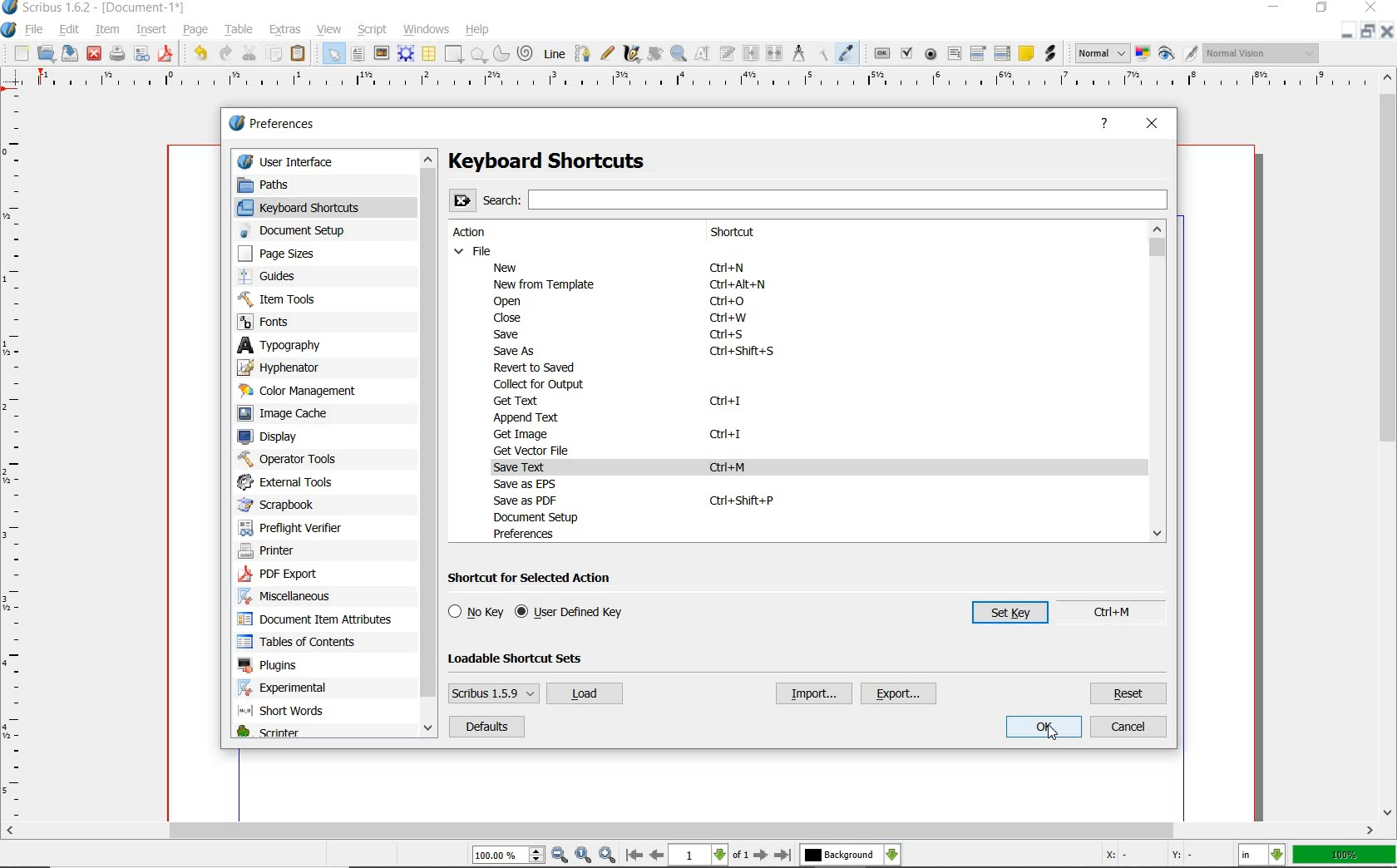 The image size is (1397, 868). I want to click on unlink text frames, so click(774, 53).